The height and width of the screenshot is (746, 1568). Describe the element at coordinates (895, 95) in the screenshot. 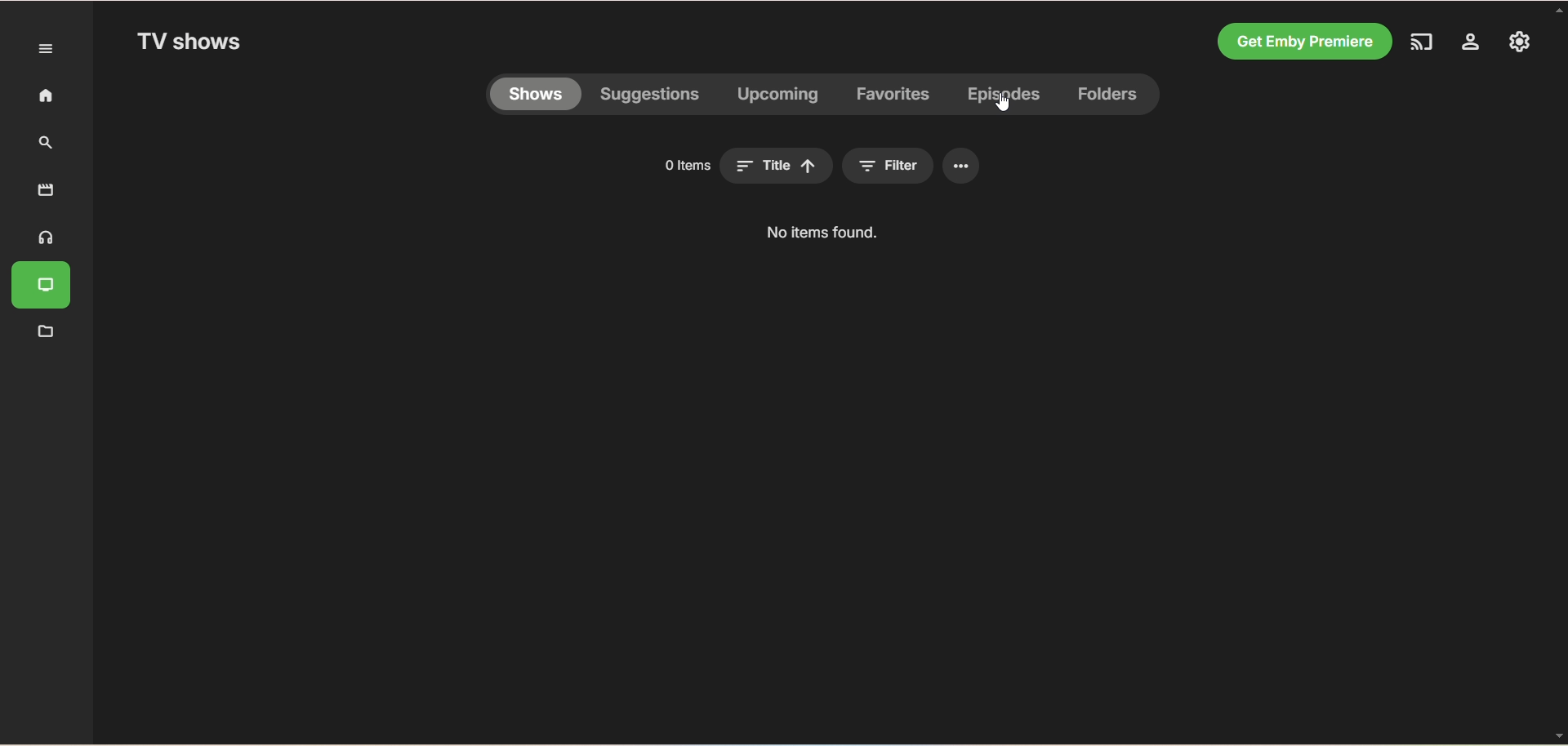

I see `favorites` at that location.